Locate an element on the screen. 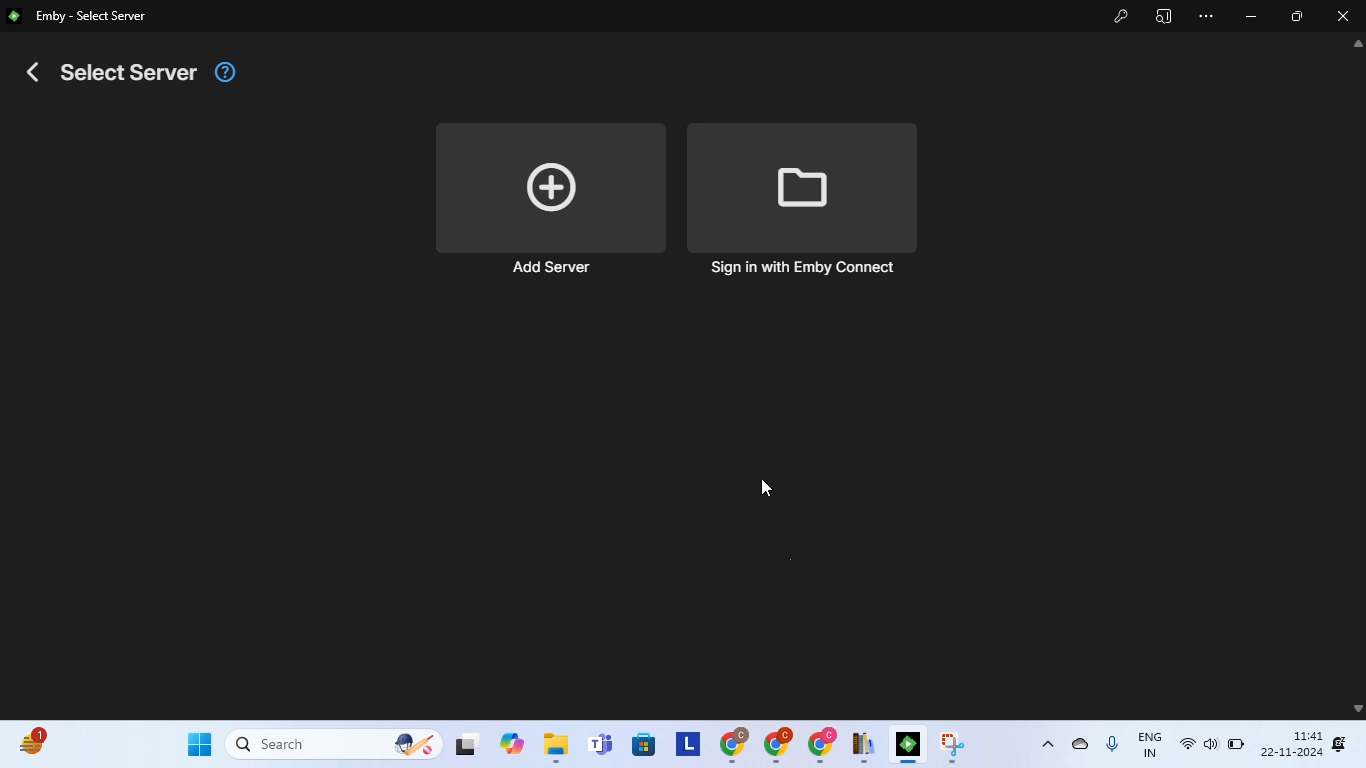 The width and height of the screenshot is (1366, 768). mic is located at coordinates (1114, 743).